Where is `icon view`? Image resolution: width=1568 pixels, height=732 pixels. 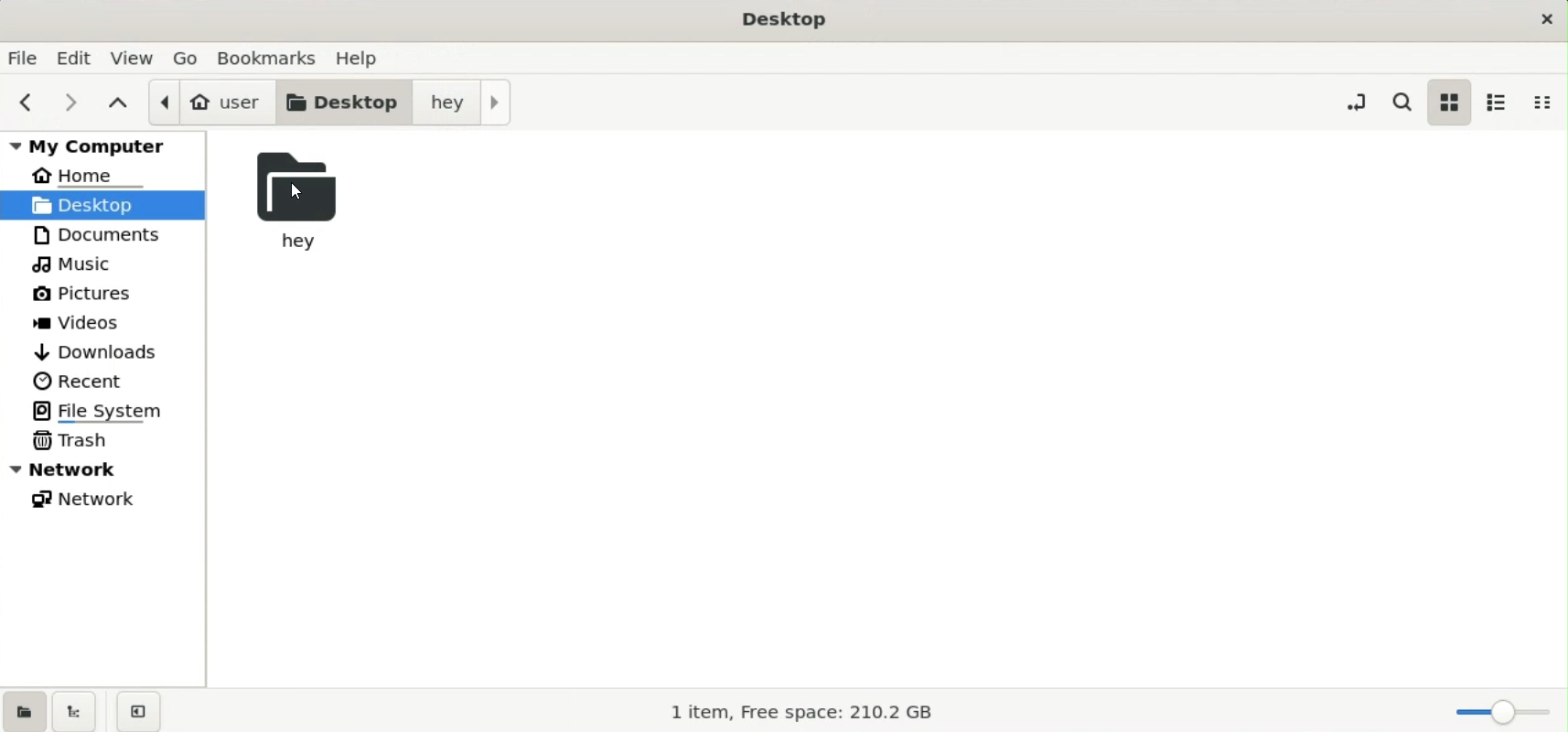 icon view is located at coordinates (1448, 102).